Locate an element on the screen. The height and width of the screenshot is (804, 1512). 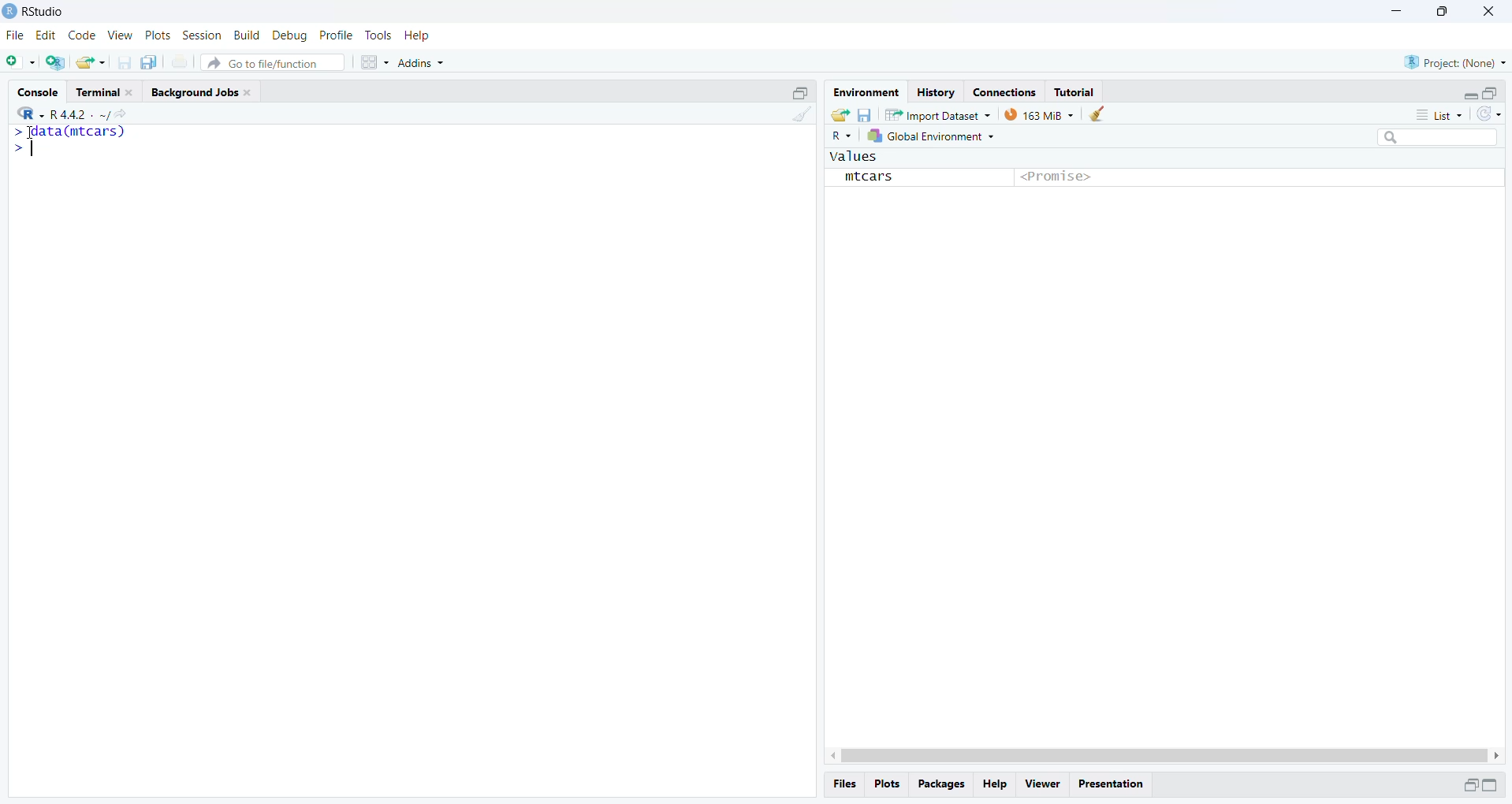
Tutorial is located at coordinates (1076, 92).